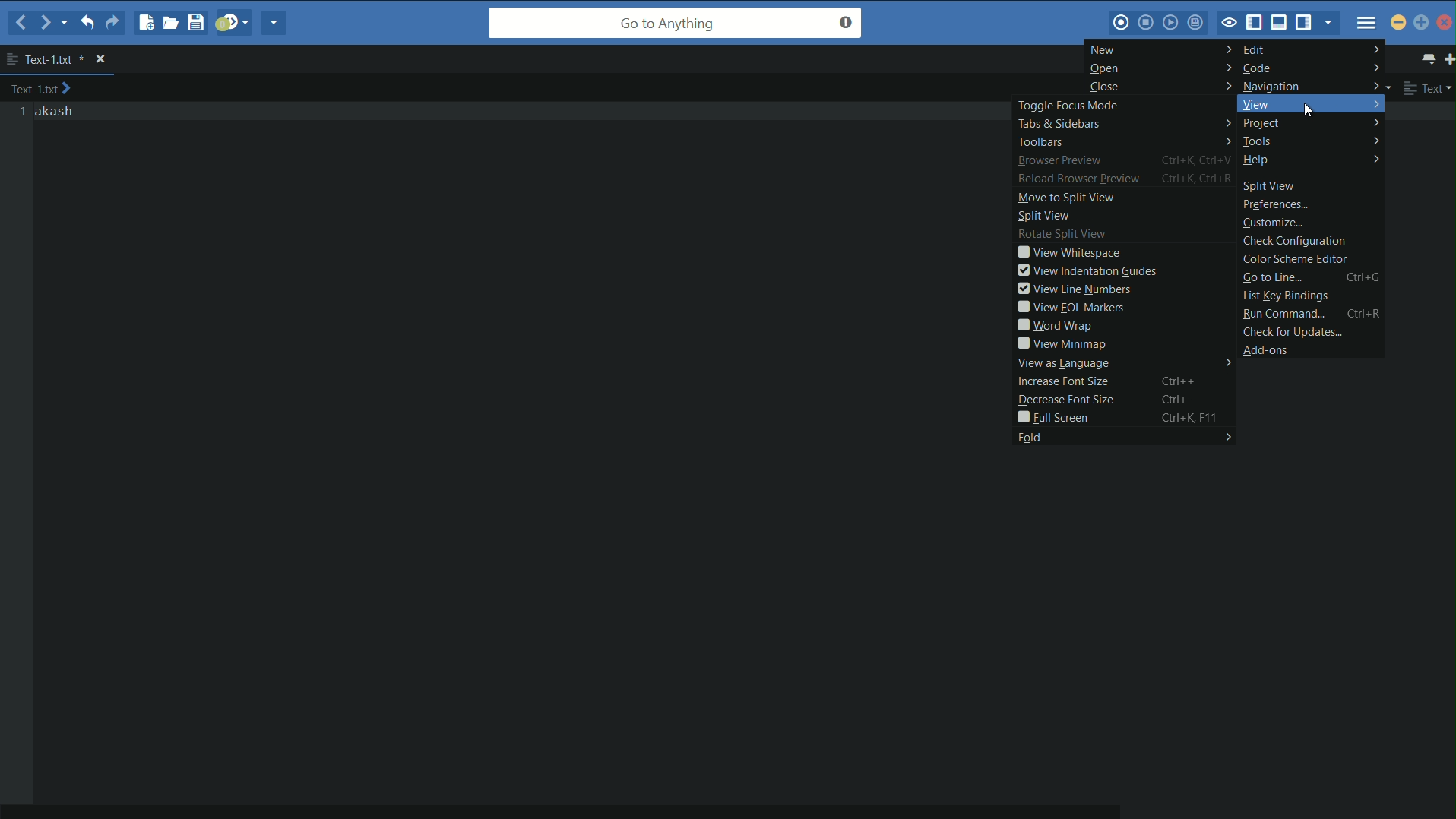 Image resolution: width=1456 pixels, height=819 pixels. I want to click on file type, so click(1429, 87).